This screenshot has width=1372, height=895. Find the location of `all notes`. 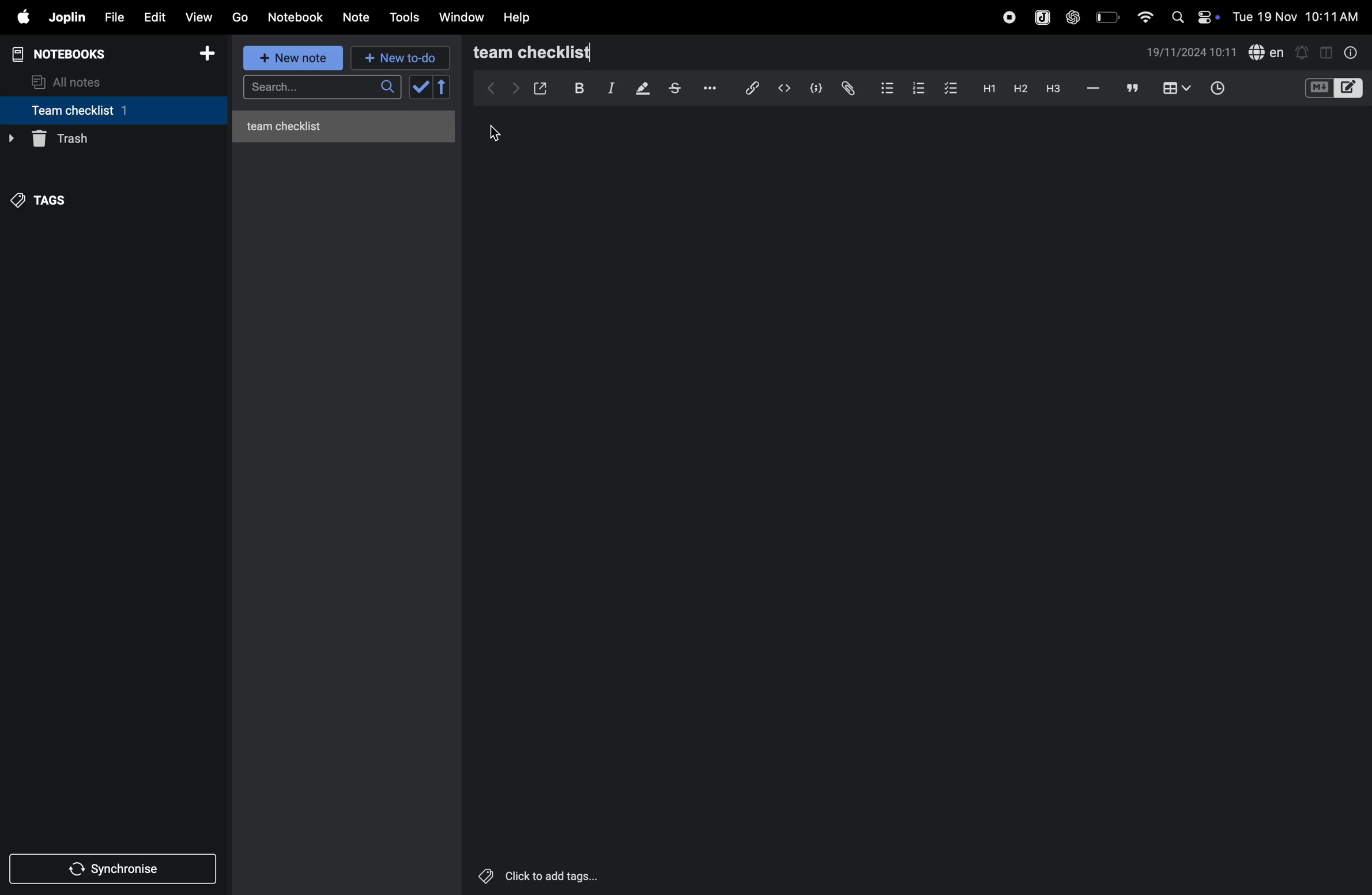

all notes is located at coordinates (76, 81).